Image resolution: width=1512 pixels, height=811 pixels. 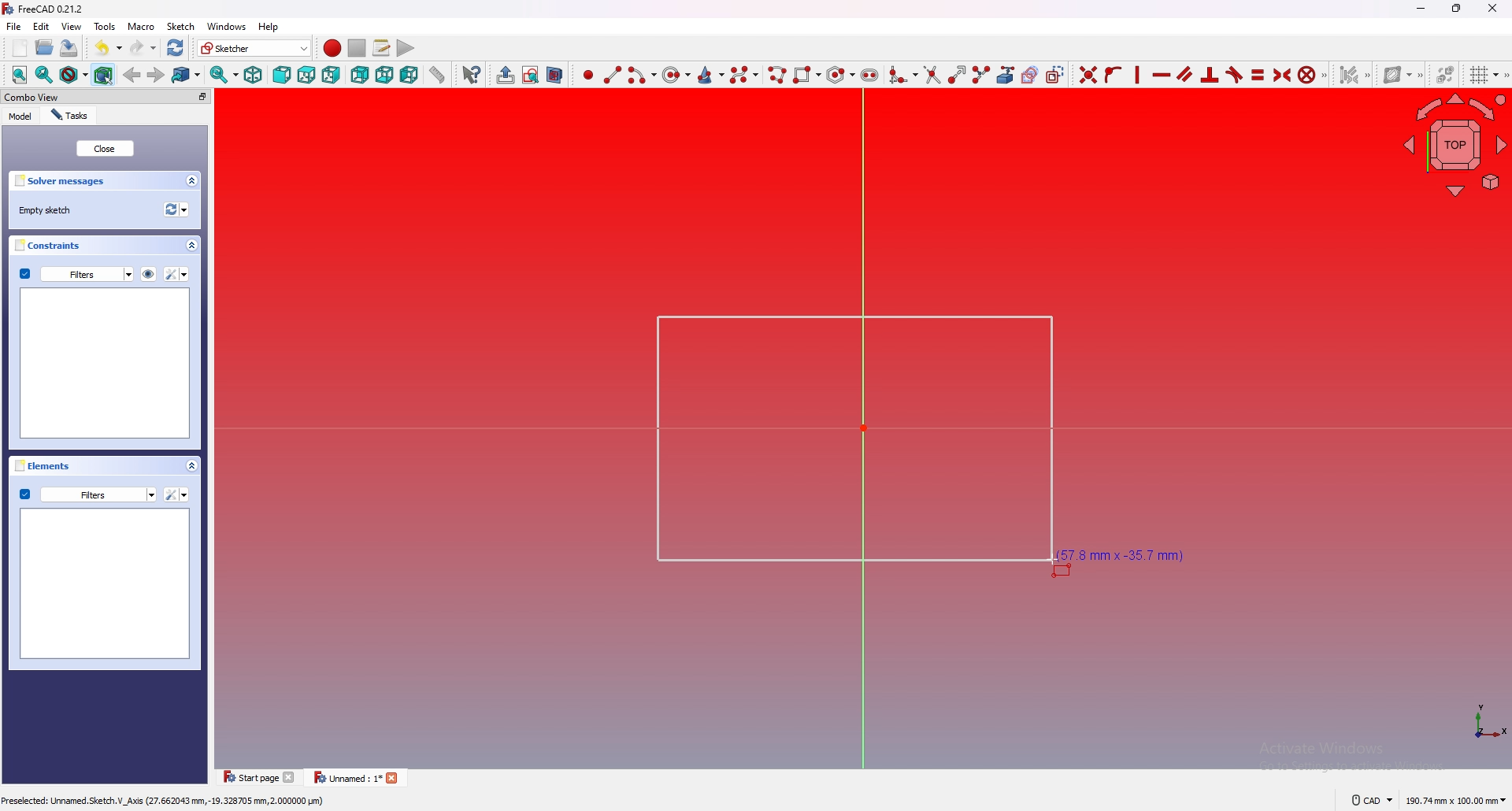 What do you see at coordinates (106, 148) in the screenshot?
I see `close` at bounding box center [106, 148].